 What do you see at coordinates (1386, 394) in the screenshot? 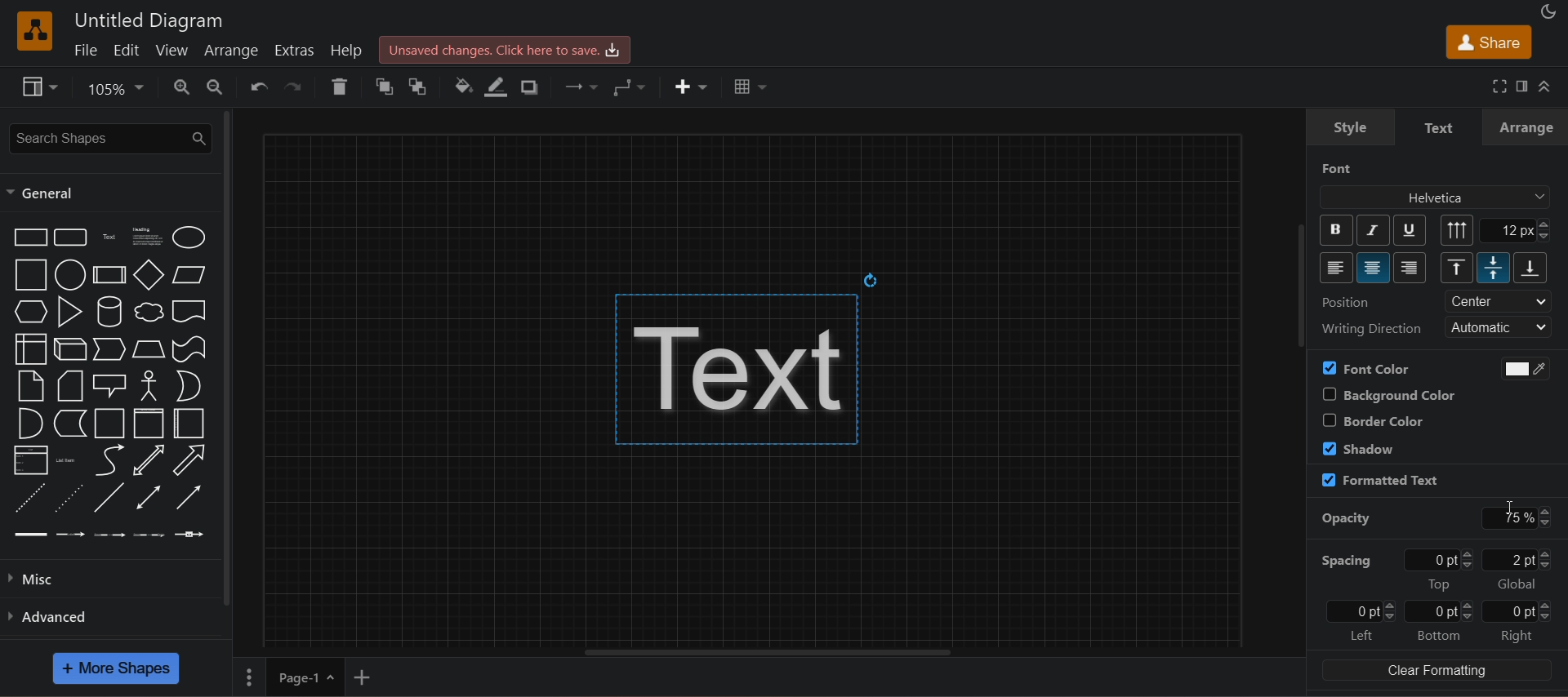
I see `background color` at bounding box center [1386, 394].